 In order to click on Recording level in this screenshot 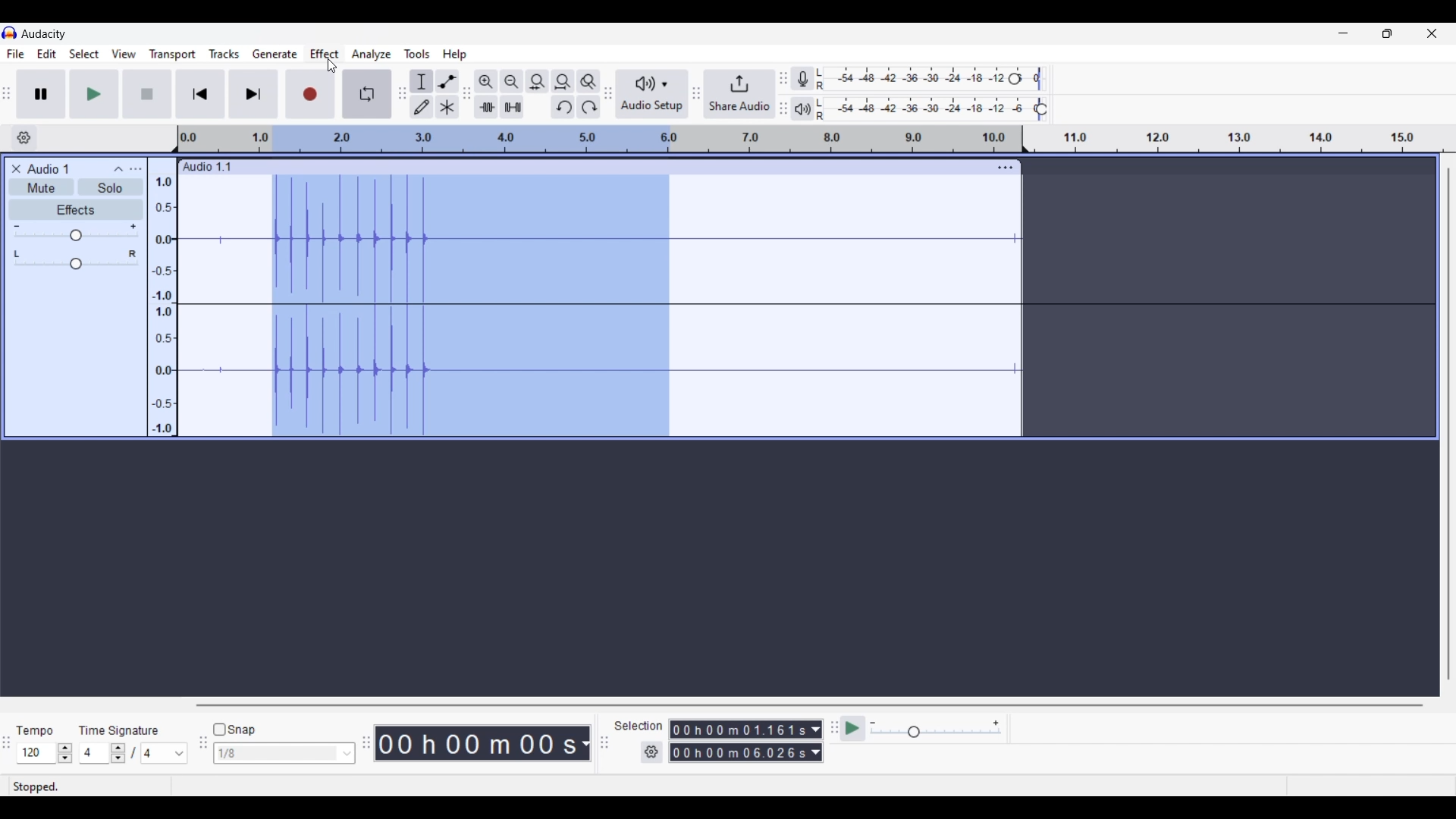, I will do `click(914, 79)`.